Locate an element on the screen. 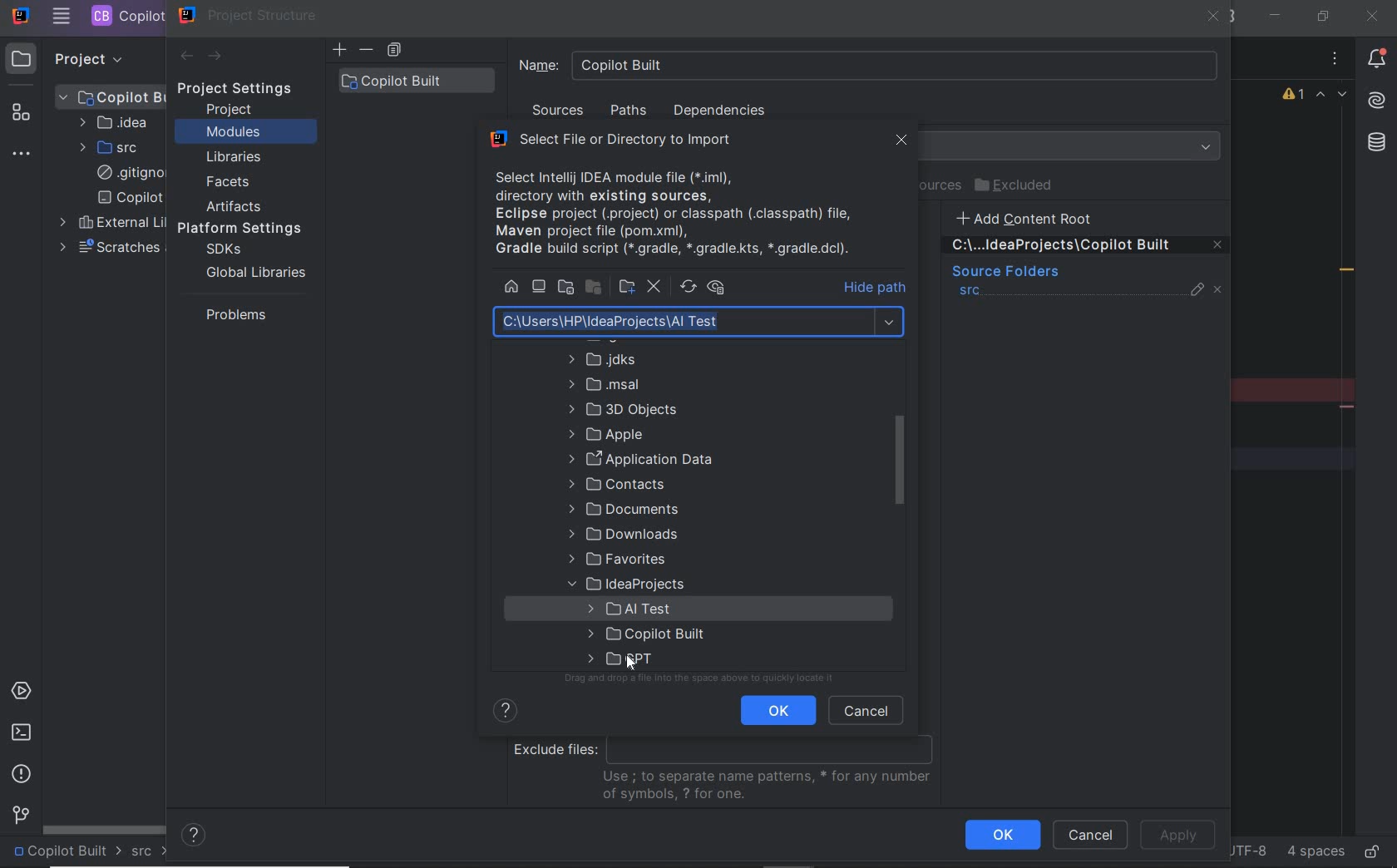 This screenshot has width=1397, height=868. delete is located at coordinates (653, 286).